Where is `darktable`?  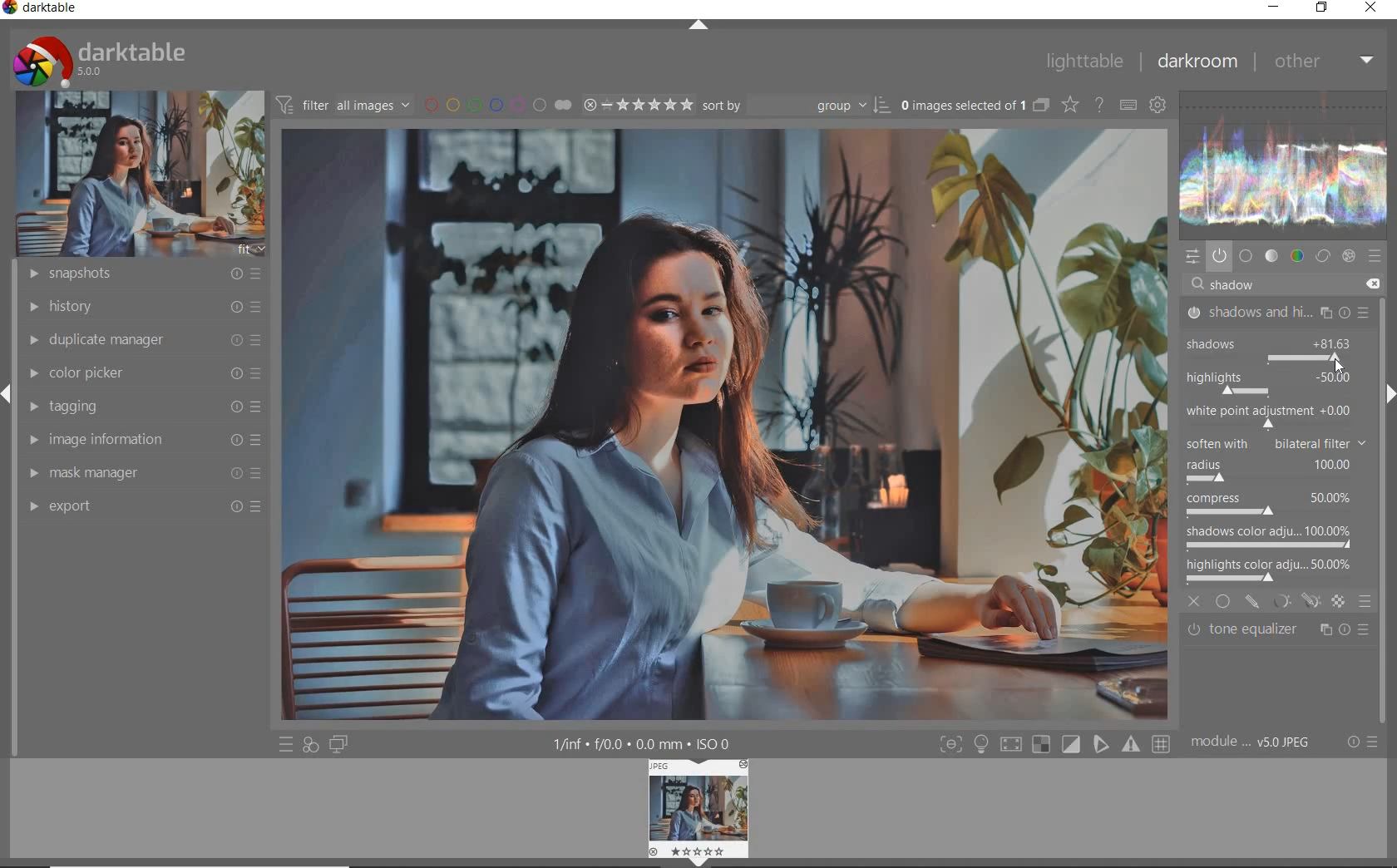 darktable is located at coordinates (129, 60).